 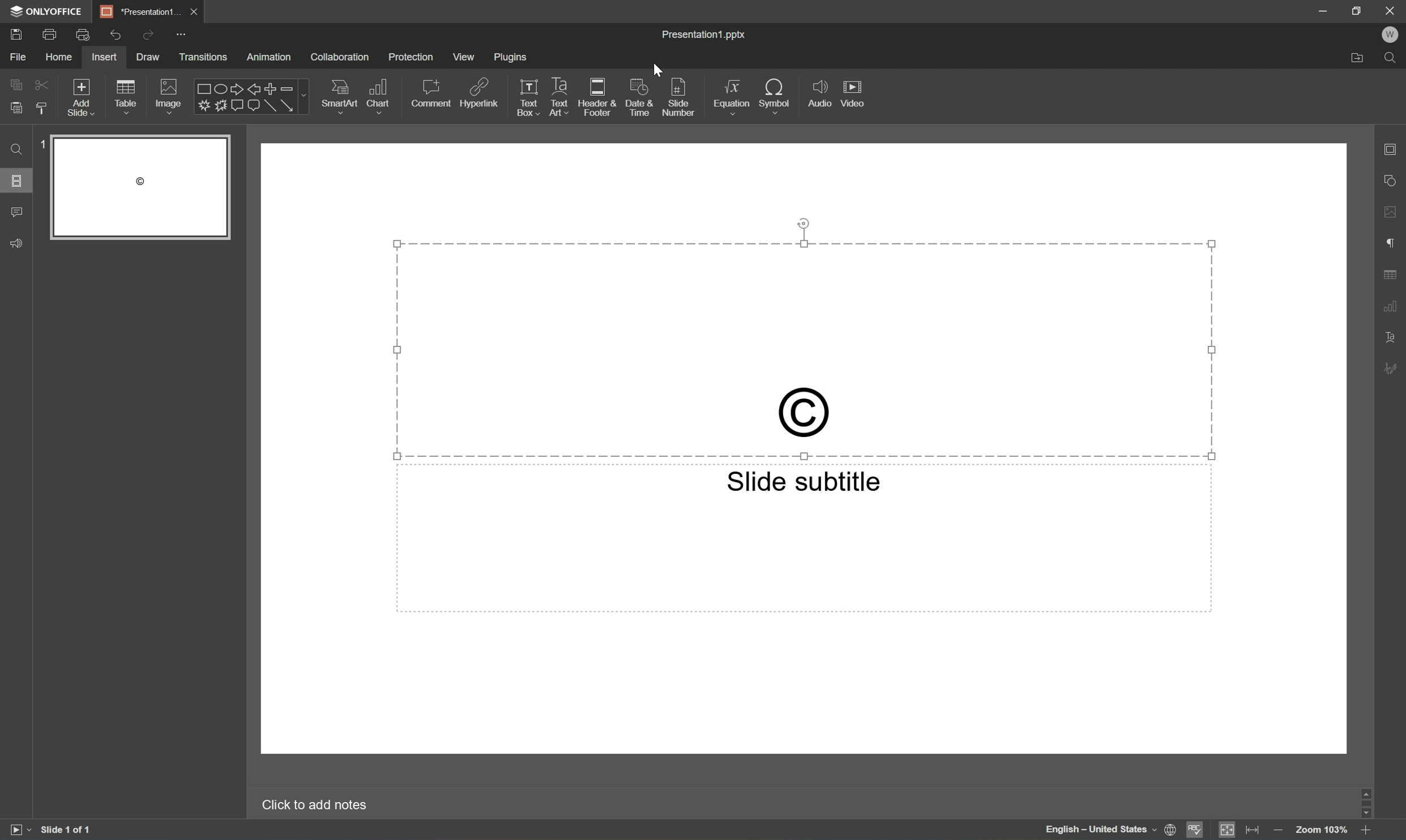 I want to click on Date & Time, so click(x=641, y=97).